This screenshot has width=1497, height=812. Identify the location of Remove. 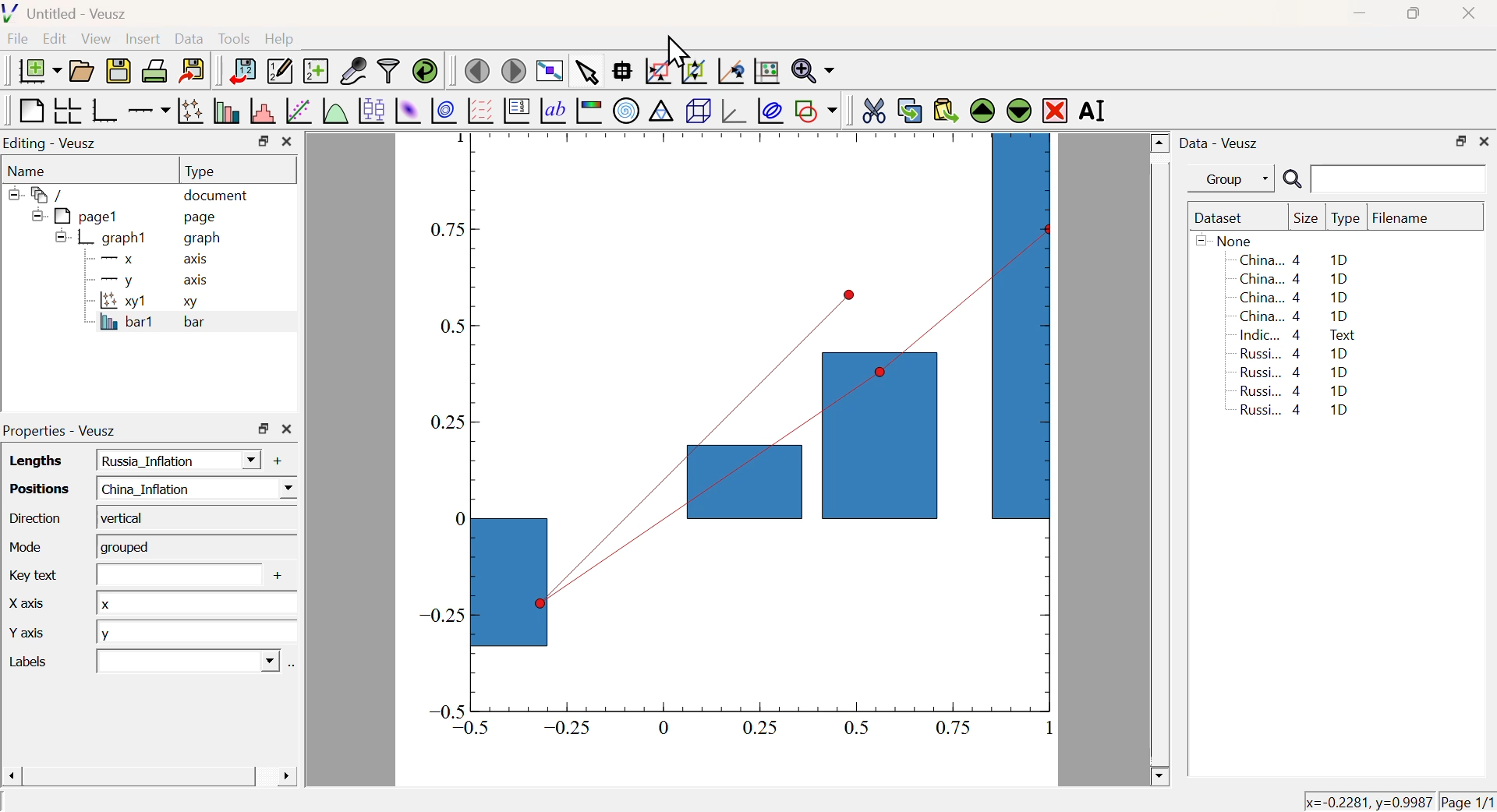
(1056, 111).